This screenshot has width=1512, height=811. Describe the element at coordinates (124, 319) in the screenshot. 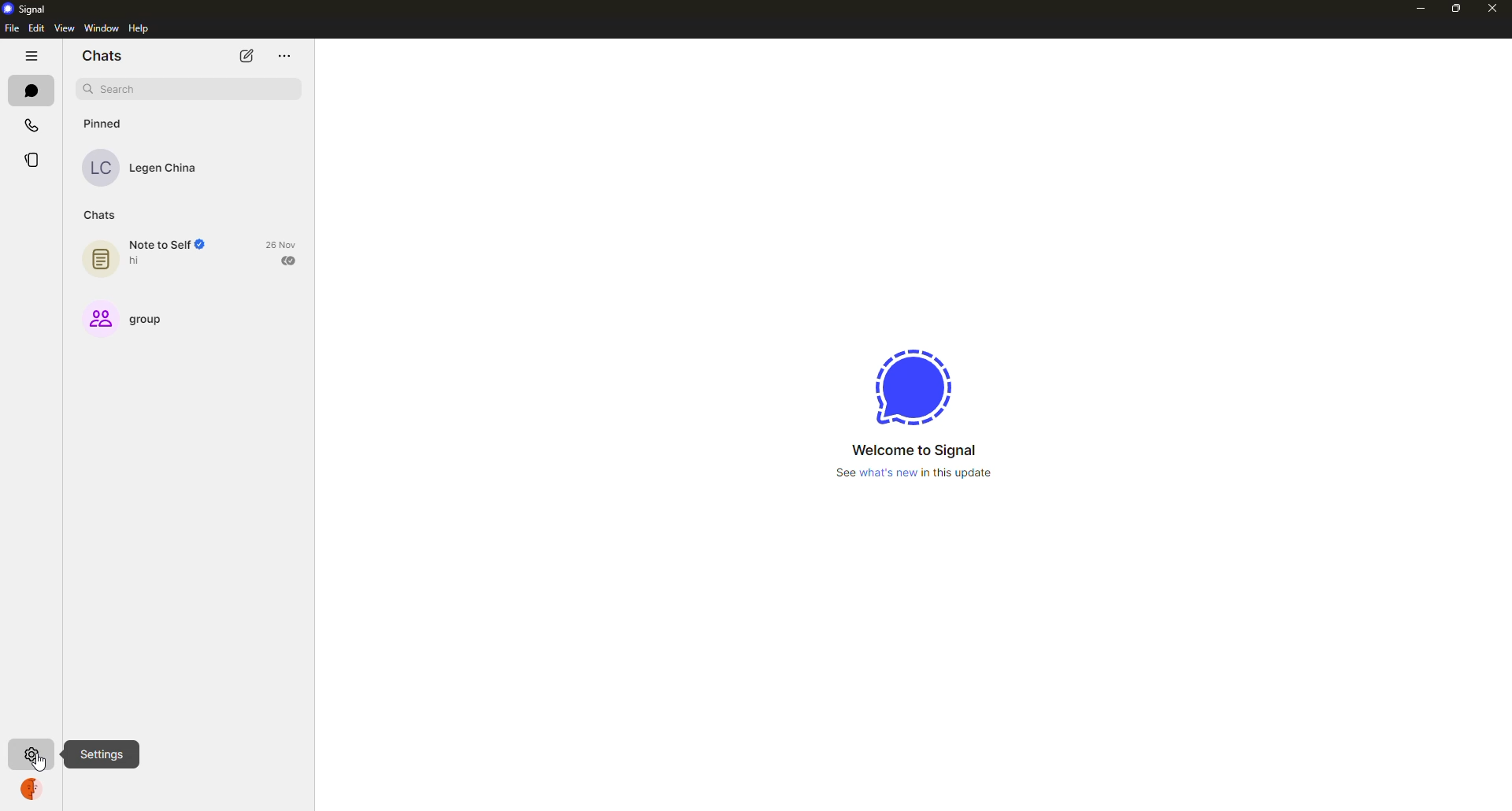

I see `group` at that location.